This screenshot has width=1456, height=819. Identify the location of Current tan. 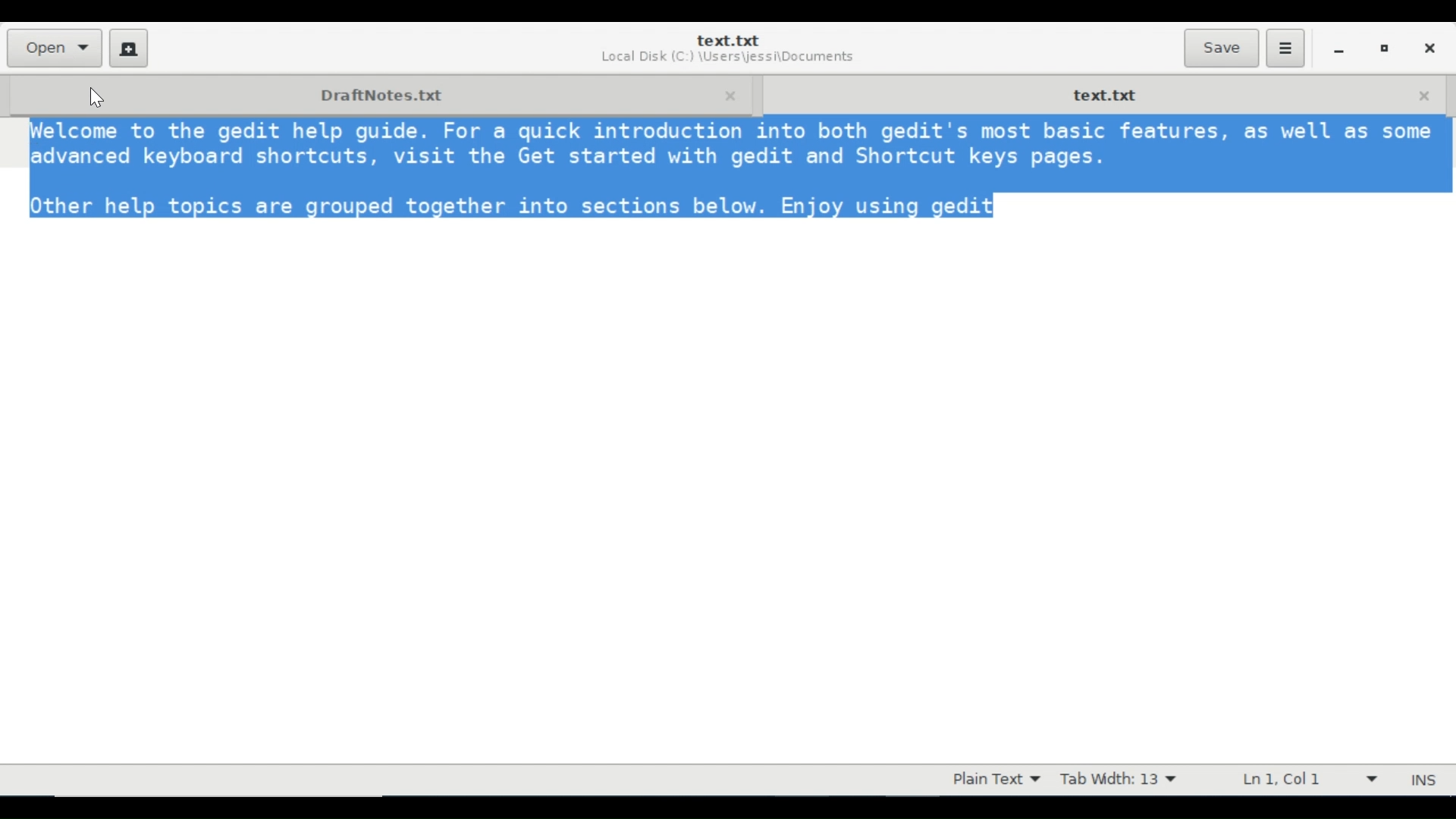
(1103, 93).